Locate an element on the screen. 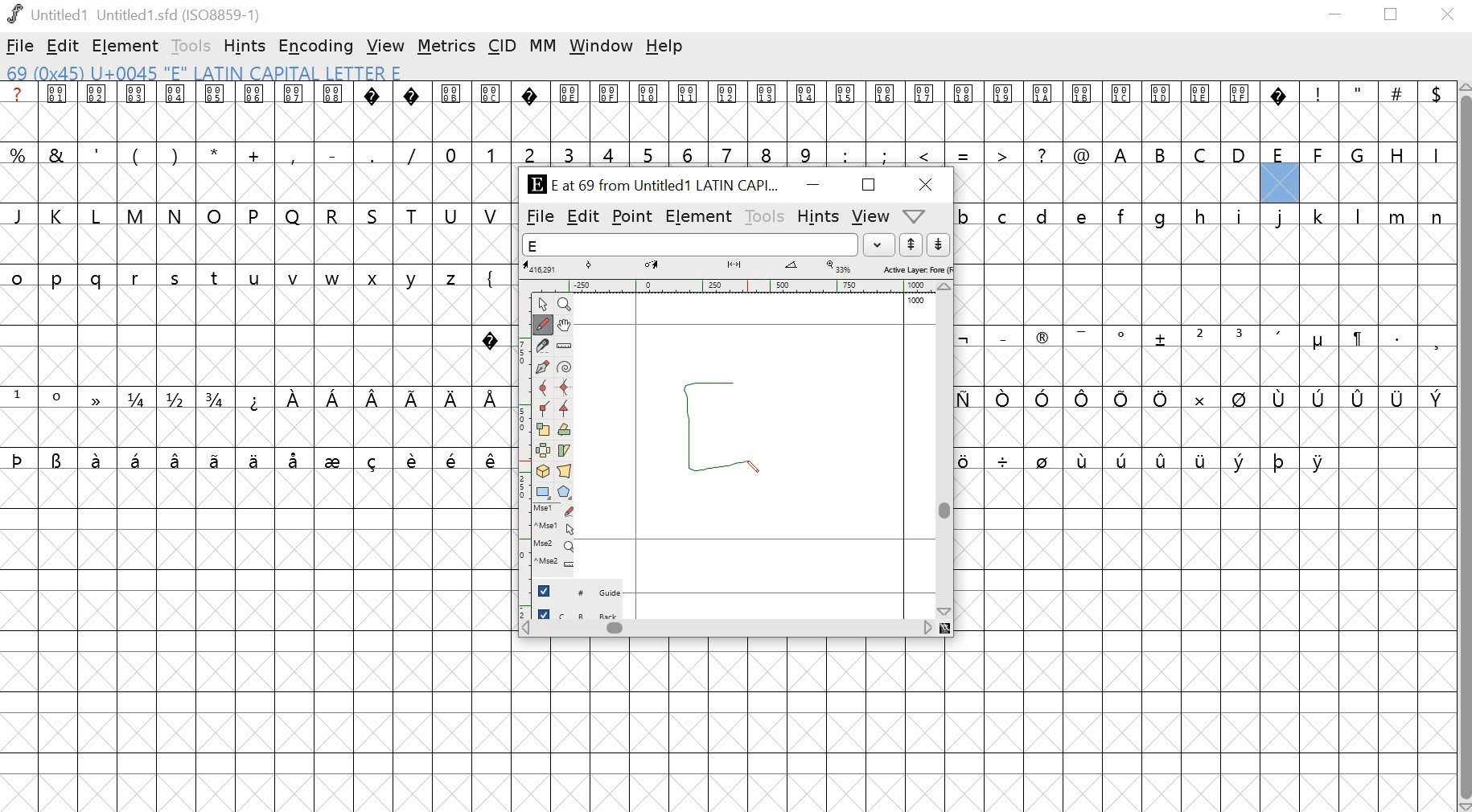 This screenshot has height=812, width=1472. close is located at coordinates (1448, 15).